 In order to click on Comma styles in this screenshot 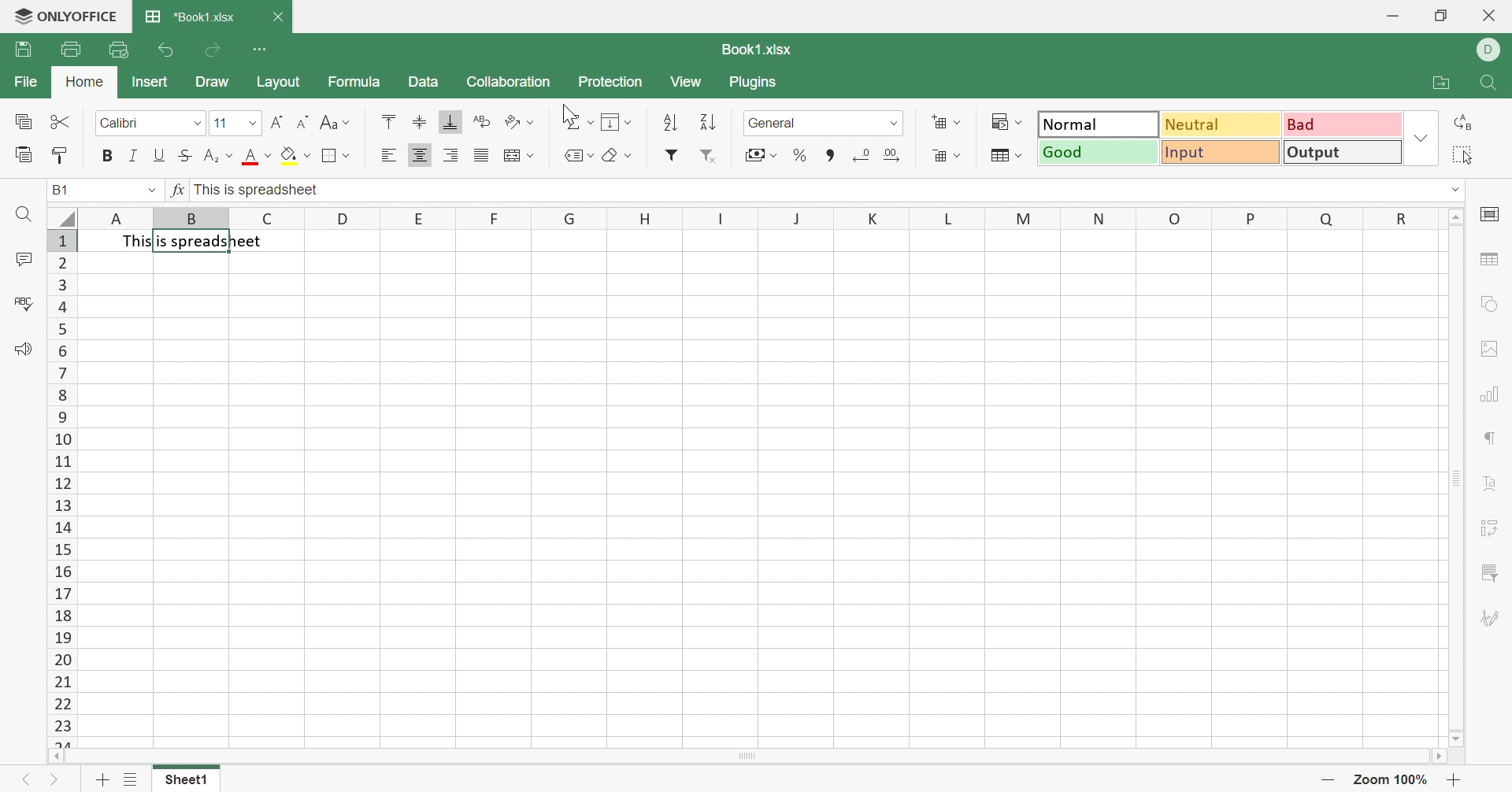, I will do `click(828, 155)`.